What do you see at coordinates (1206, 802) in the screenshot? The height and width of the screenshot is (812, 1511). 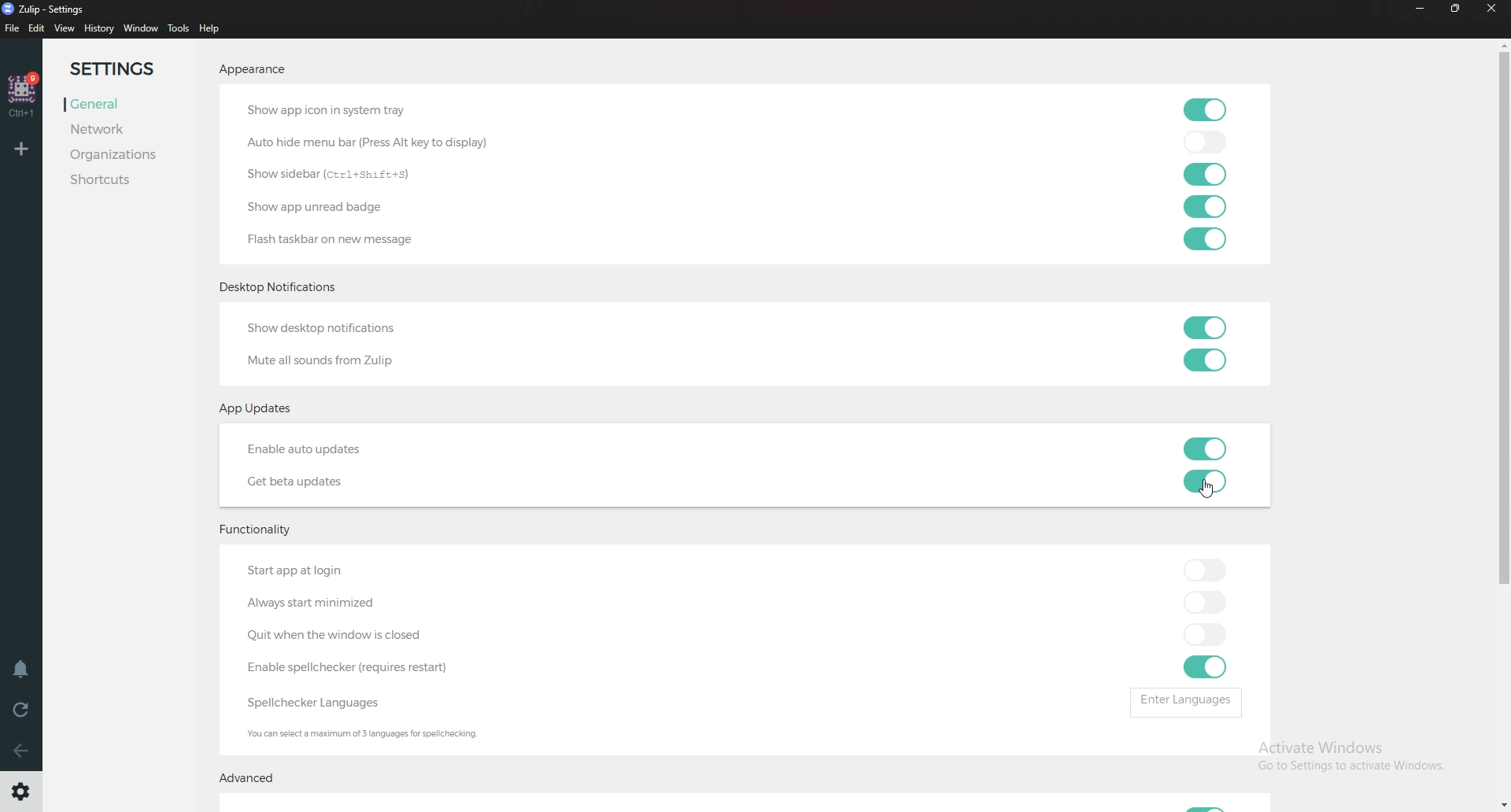 I see `Toggle` at bounding box center [1206, 802].